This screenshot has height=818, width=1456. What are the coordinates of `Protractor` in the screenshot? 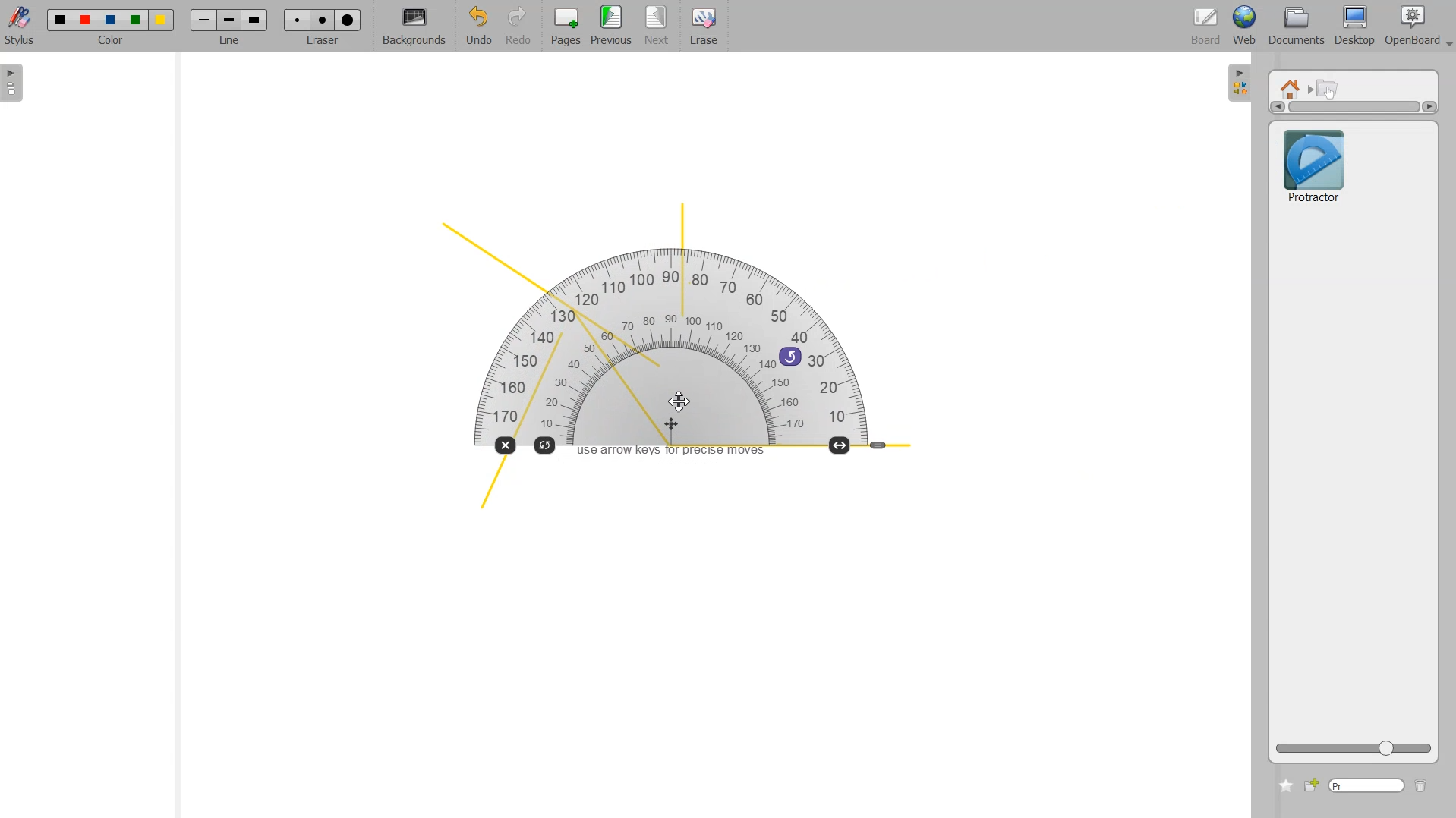 It's located at (685, 352).